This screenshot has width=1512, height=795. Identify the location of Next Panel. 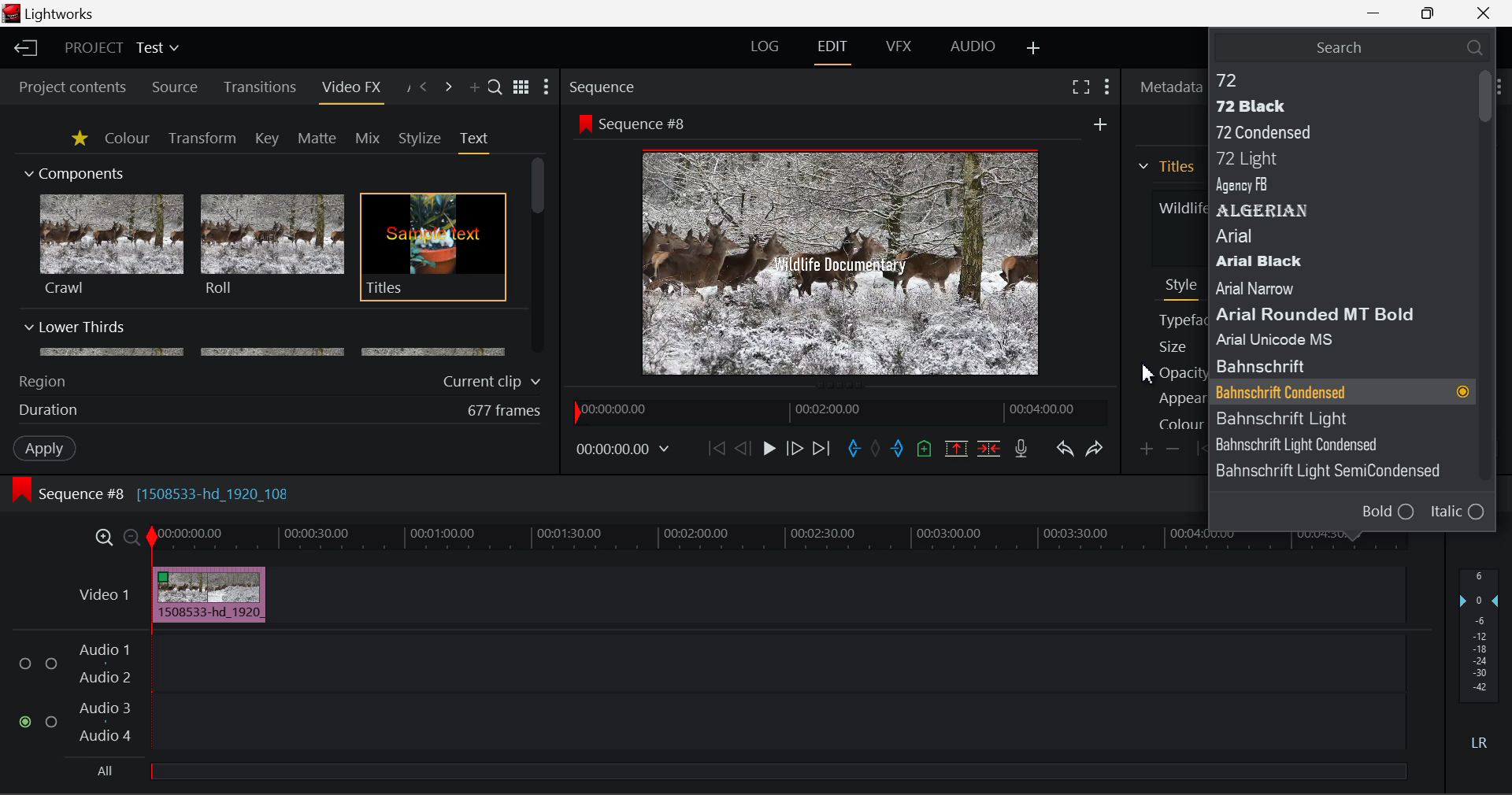
(450, 88).